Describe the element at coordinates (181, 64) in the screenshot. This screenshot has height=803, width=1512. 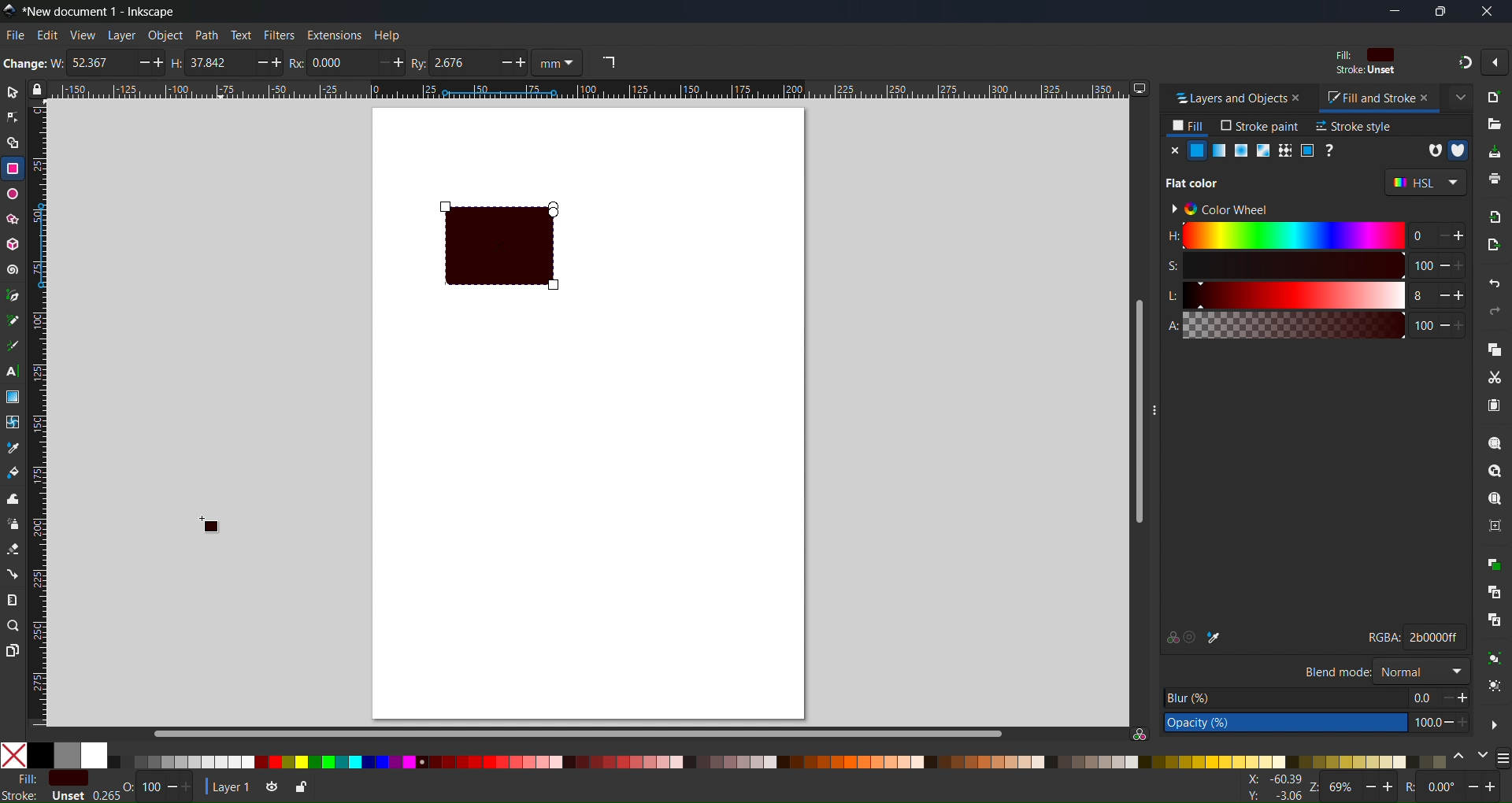
I see `H:` at that location.